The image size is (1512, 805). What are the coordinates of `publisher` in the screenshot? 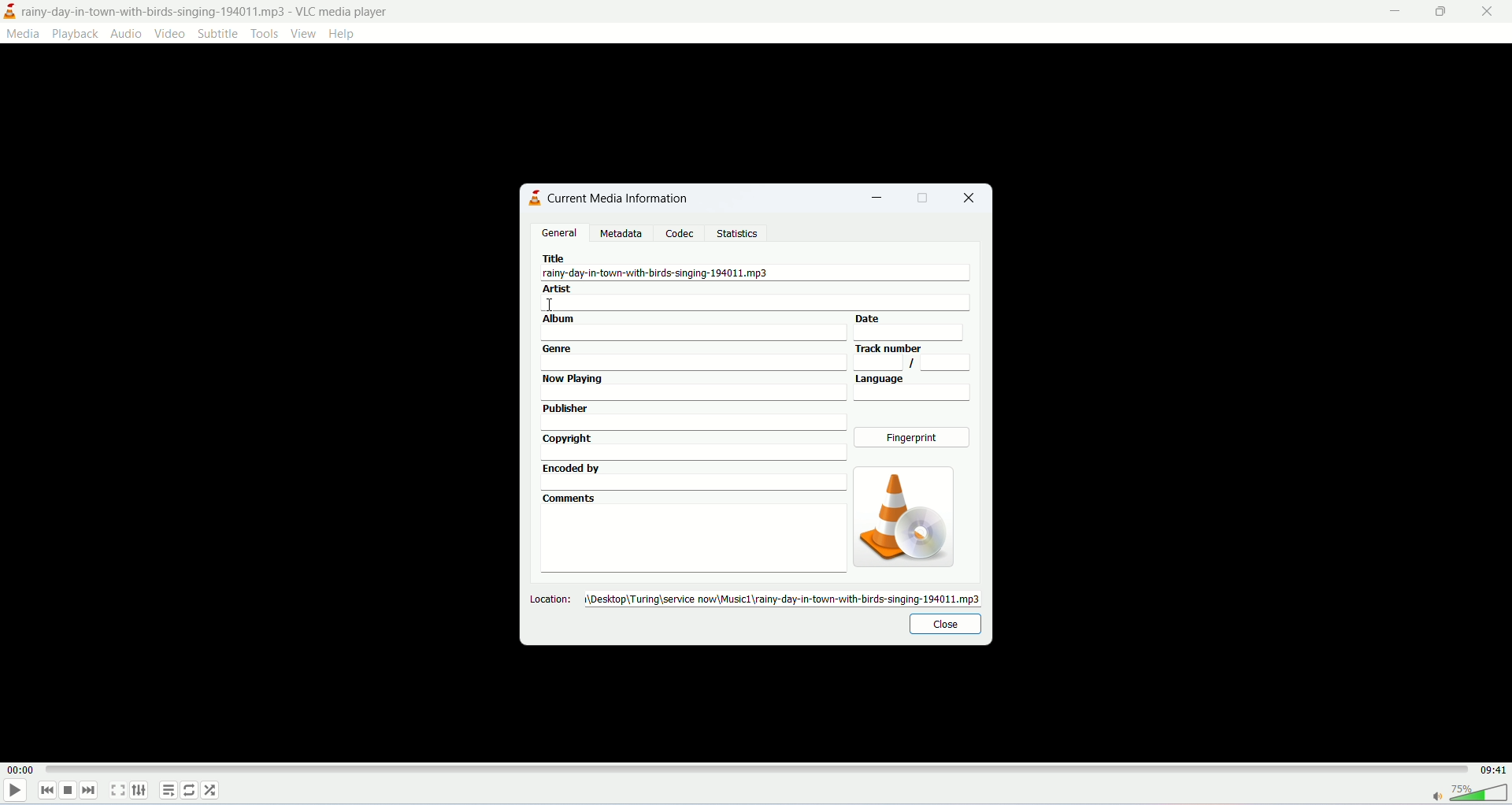 It's located at (692, 415).